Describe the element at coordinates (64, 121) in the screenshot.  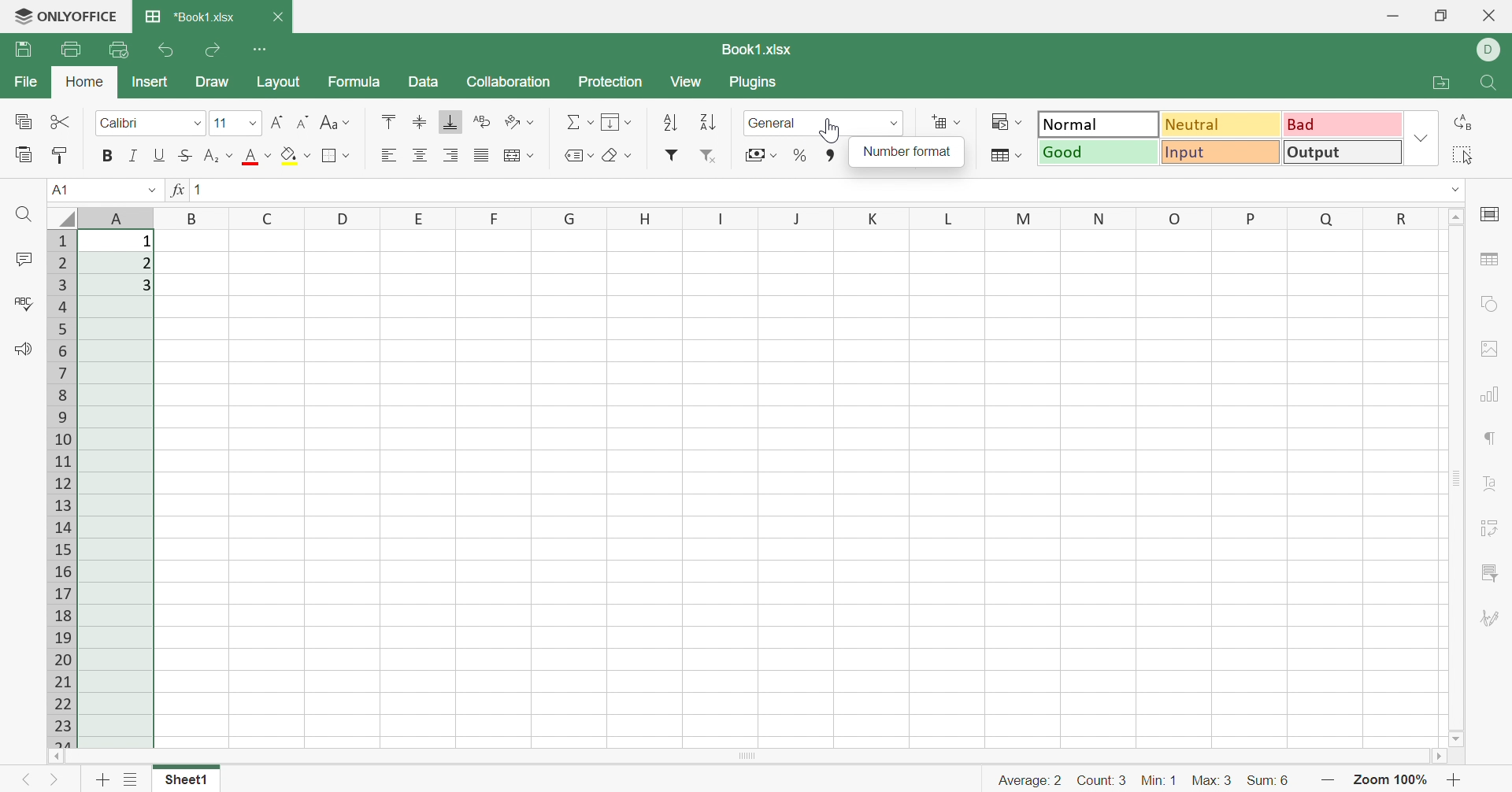
I see `Cut` at that location.